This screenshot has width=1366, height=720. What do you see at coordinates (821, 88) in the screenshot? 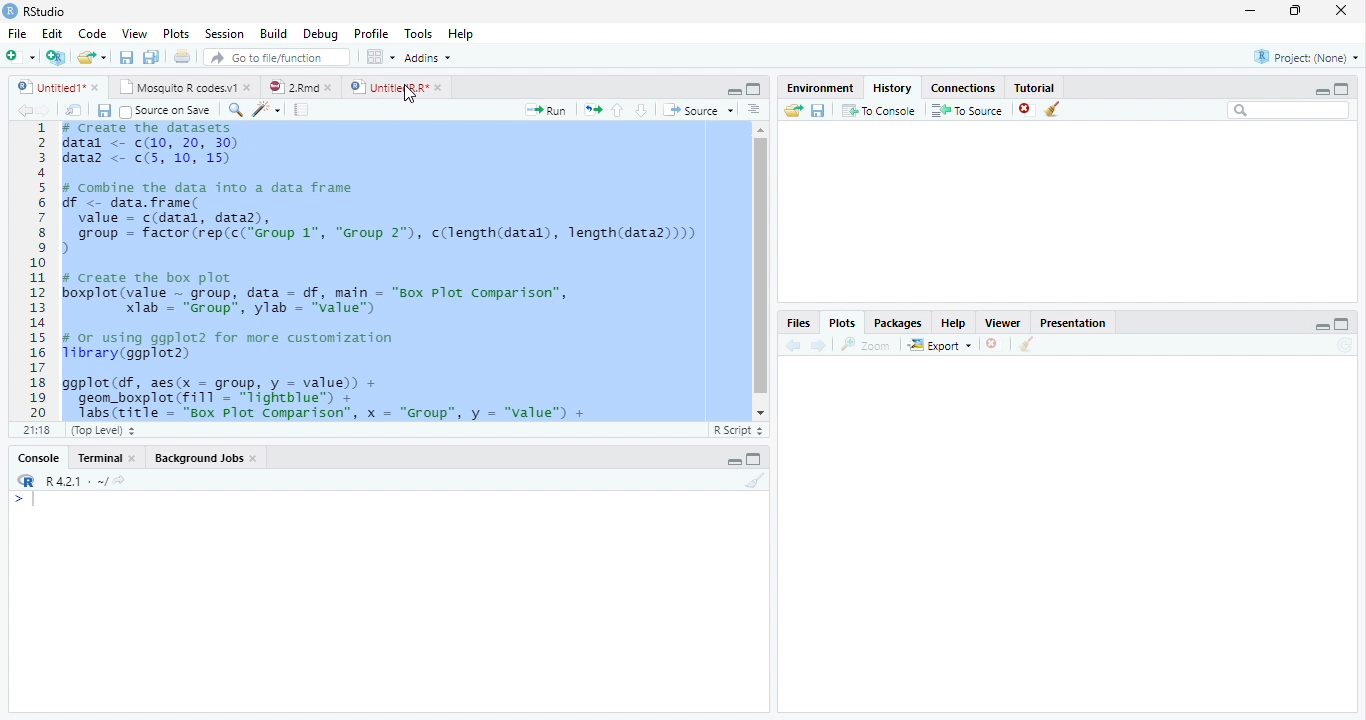
I see `Environment` at bounding box center [821, 88].